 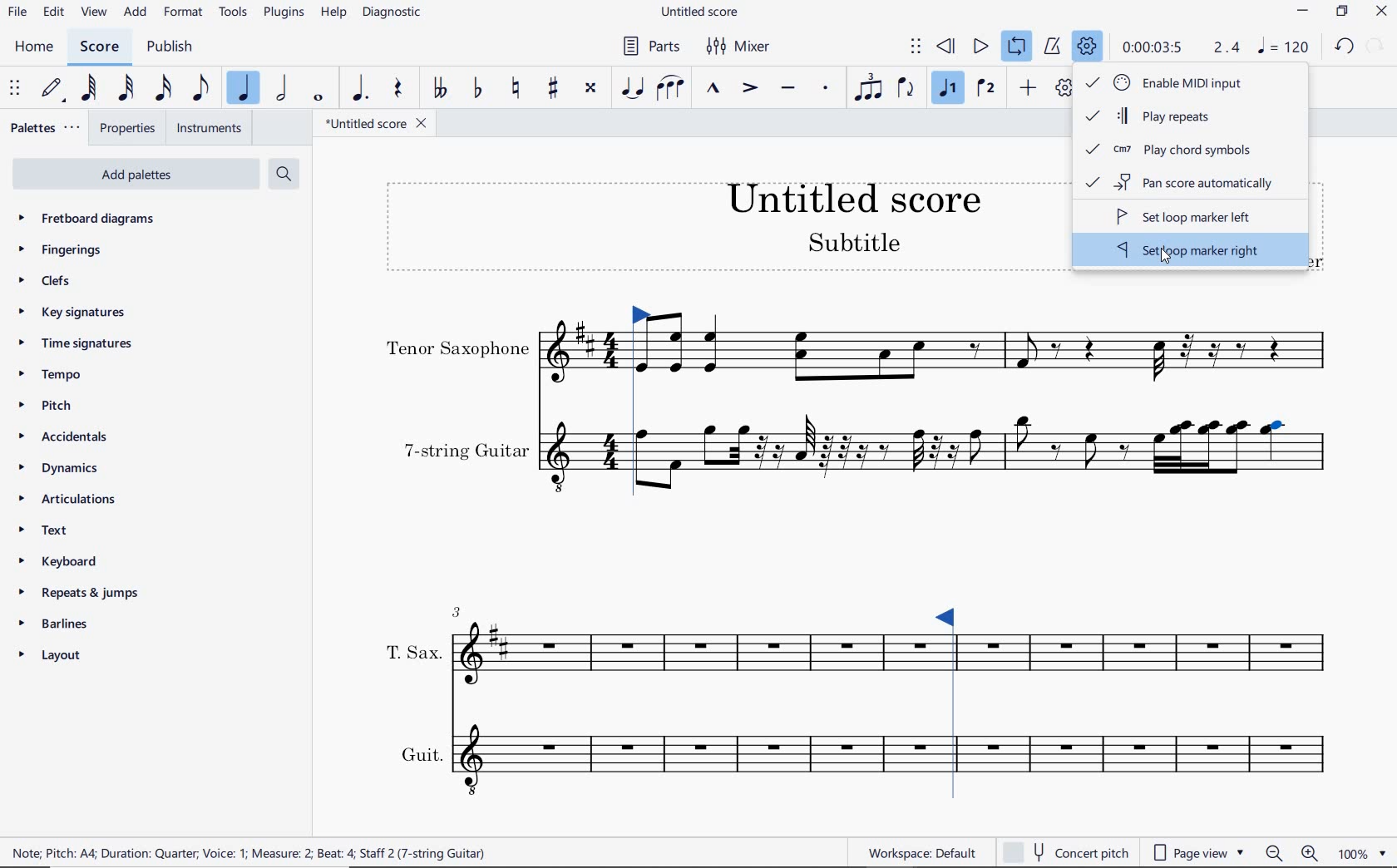 I want to click on INSTRUMENT: T.SAX, so click(x=1164, y=643).